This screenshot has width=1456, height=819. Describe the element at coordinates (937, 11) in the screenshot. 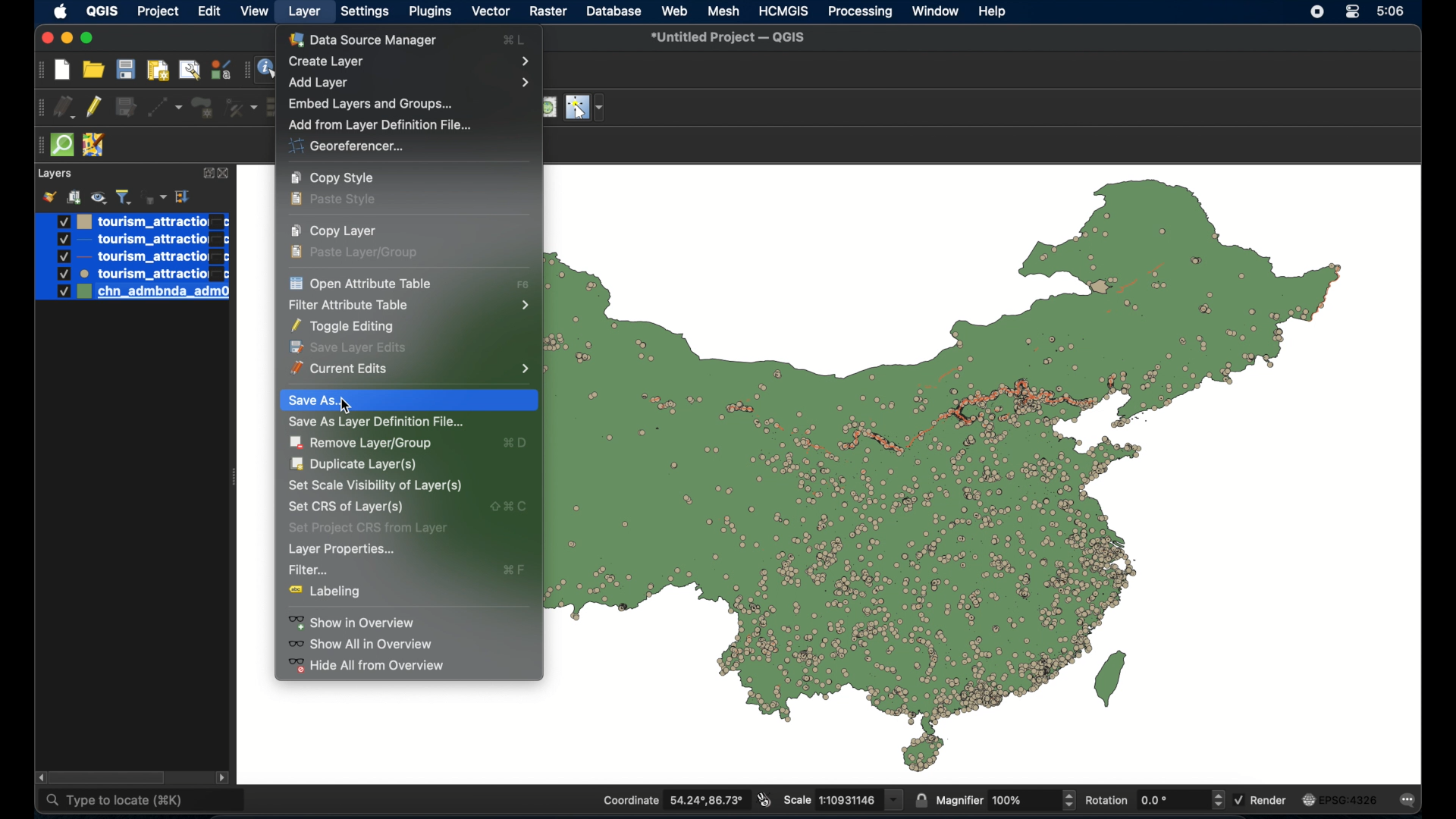

I see `window` at that location.